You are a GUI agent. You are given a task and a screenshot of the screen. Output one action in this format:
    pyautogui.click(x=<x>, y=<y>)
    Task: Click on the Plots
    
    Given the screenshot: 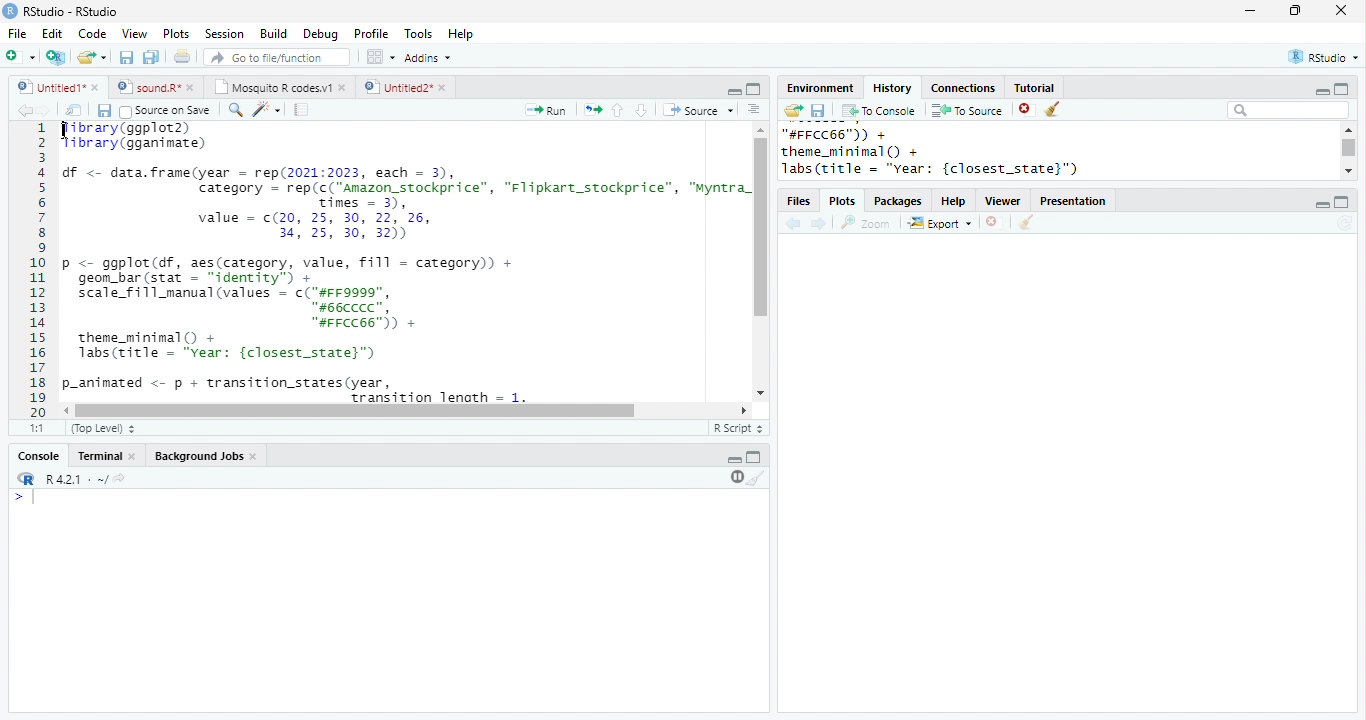 What is the action you would take?
    pyautogui.click(x=177, y=34)
    